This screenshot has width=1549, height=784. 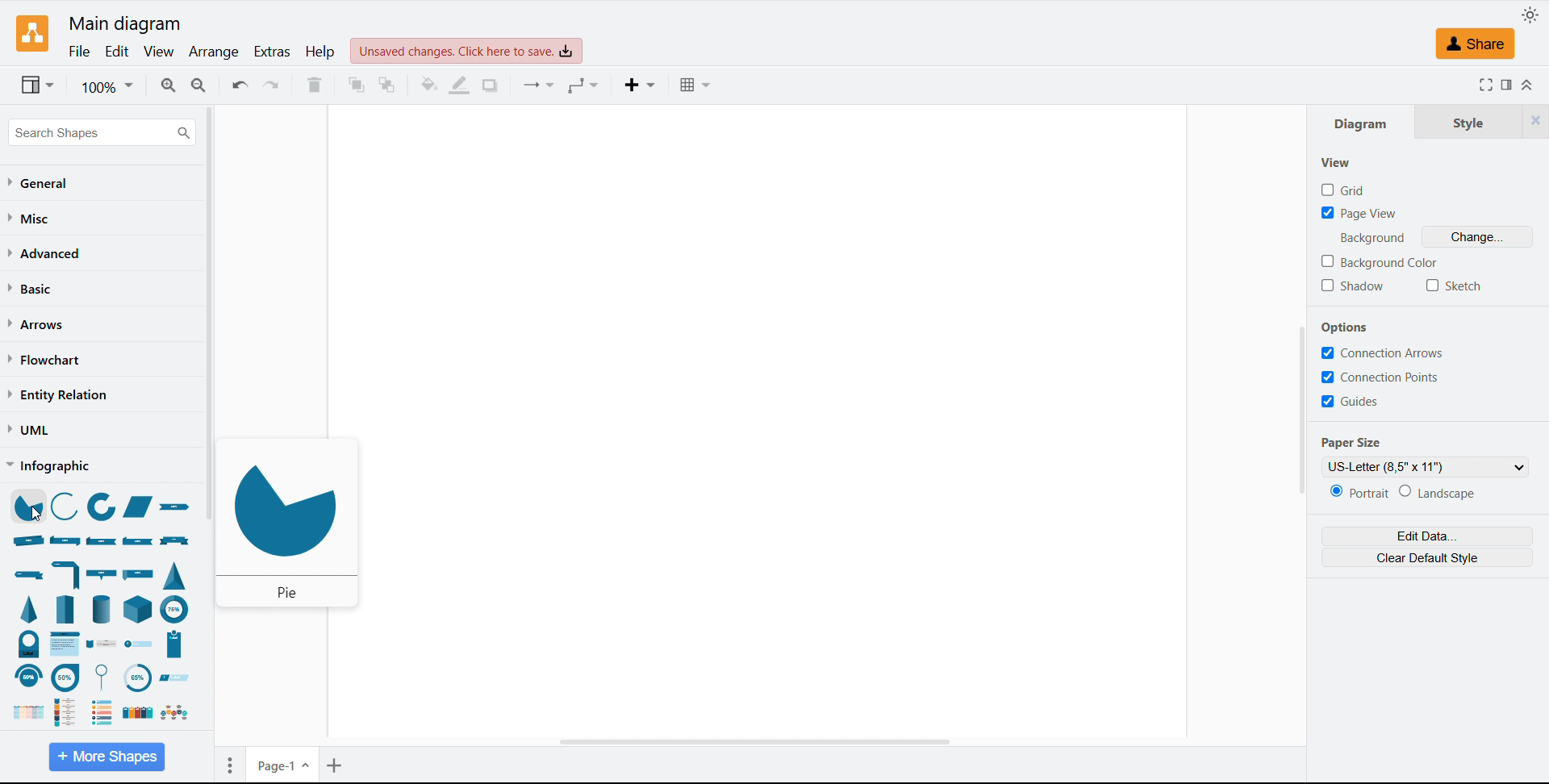 I want to click on bar with callout, so click(x=102, y=576).